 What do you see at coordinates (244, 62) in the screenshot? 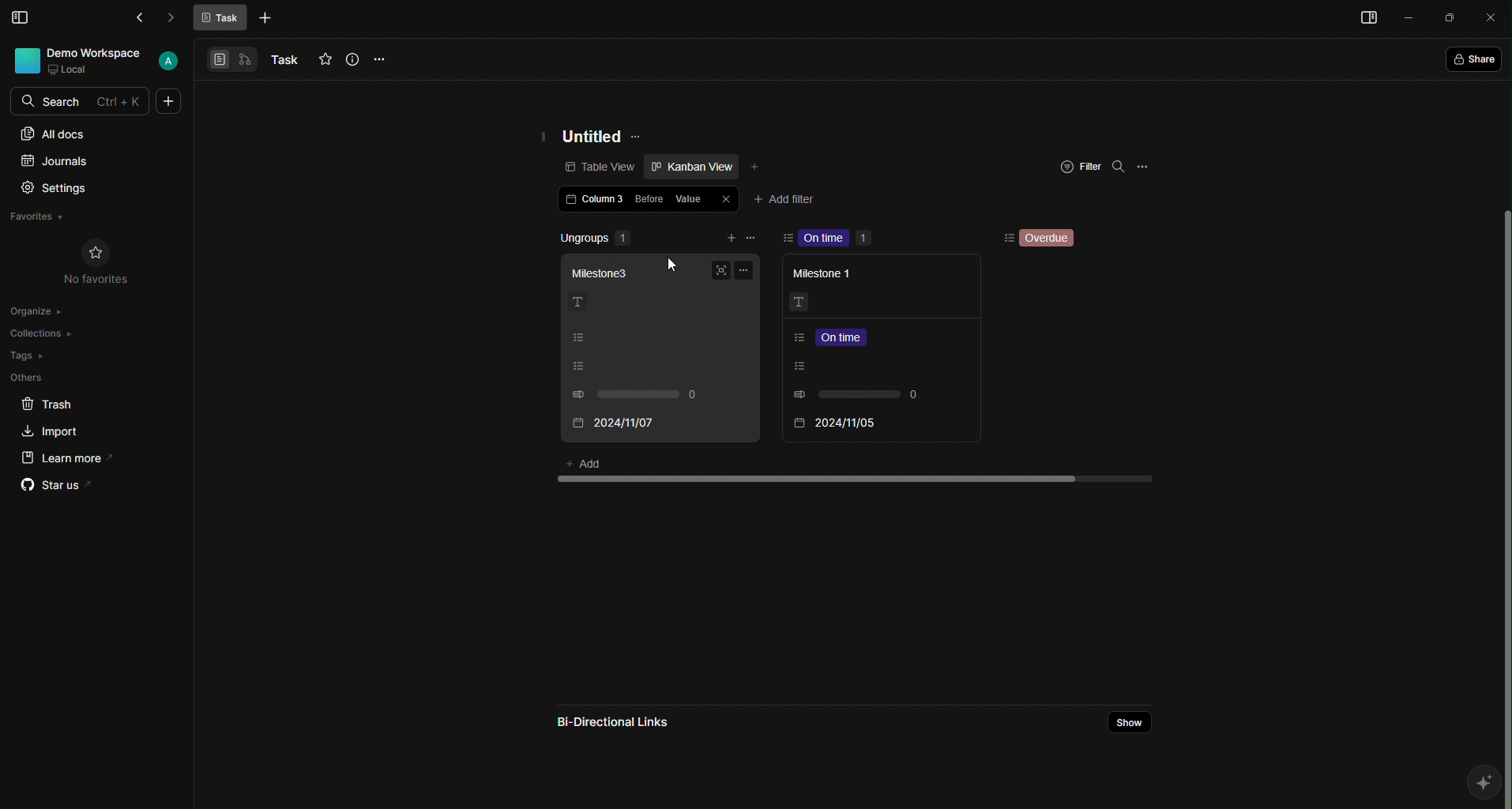
I see `View 2` at bounding box center [244, 62].